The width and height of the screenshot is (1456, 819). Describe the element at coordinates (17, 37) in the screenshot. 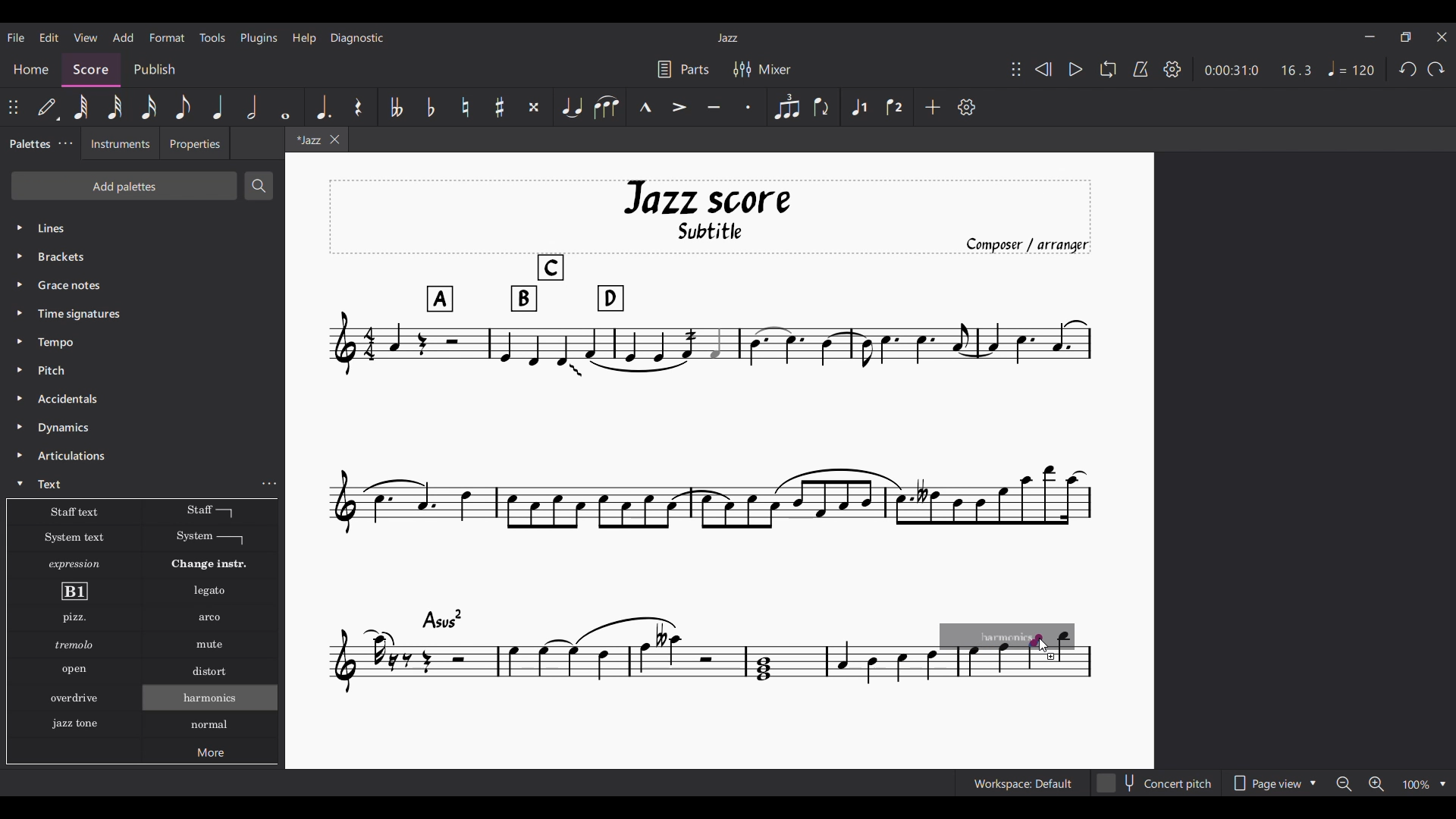

I see `File menu` at that location.